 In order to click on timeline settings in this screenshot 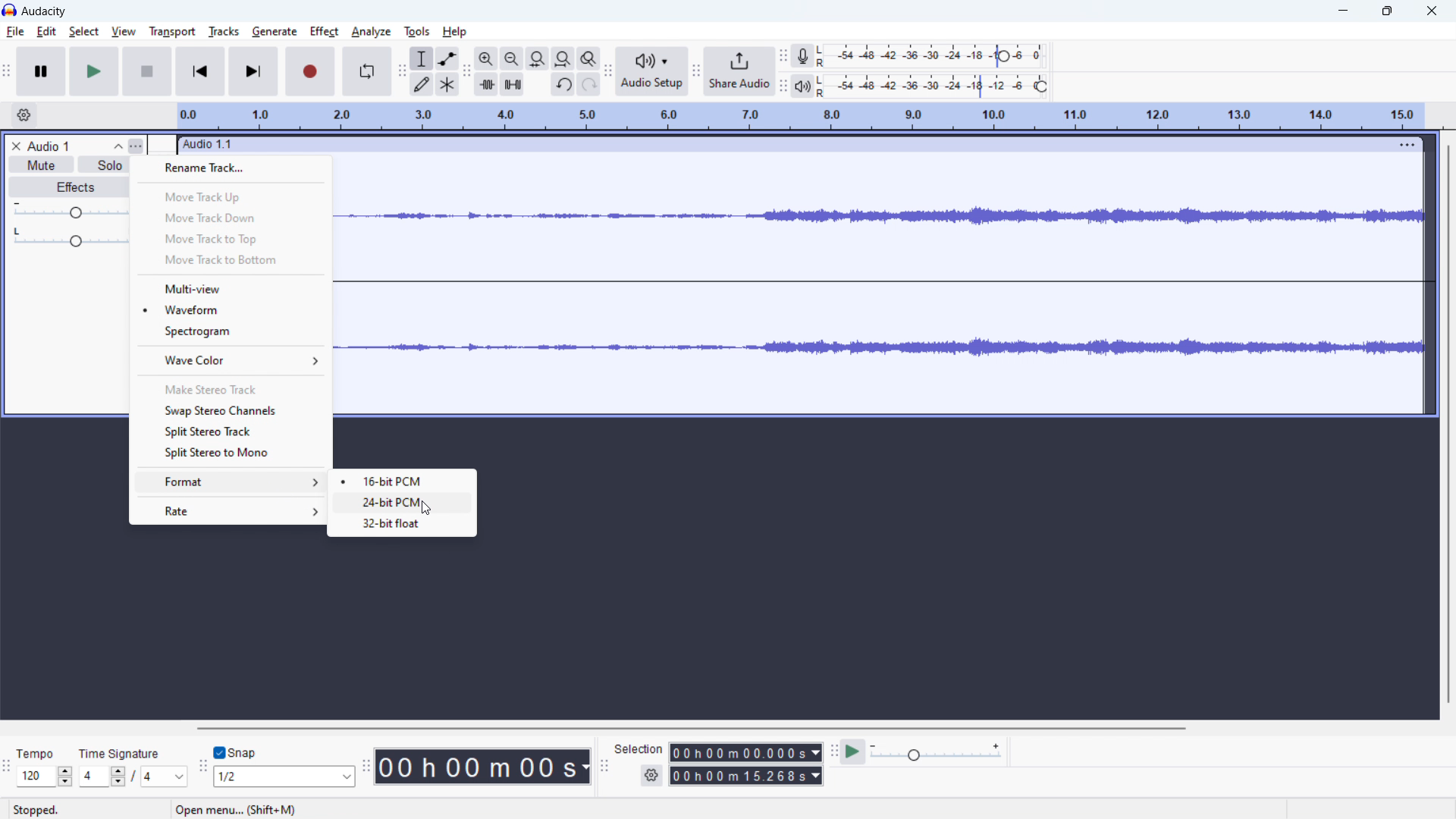, I will do `click(24, 115)`.